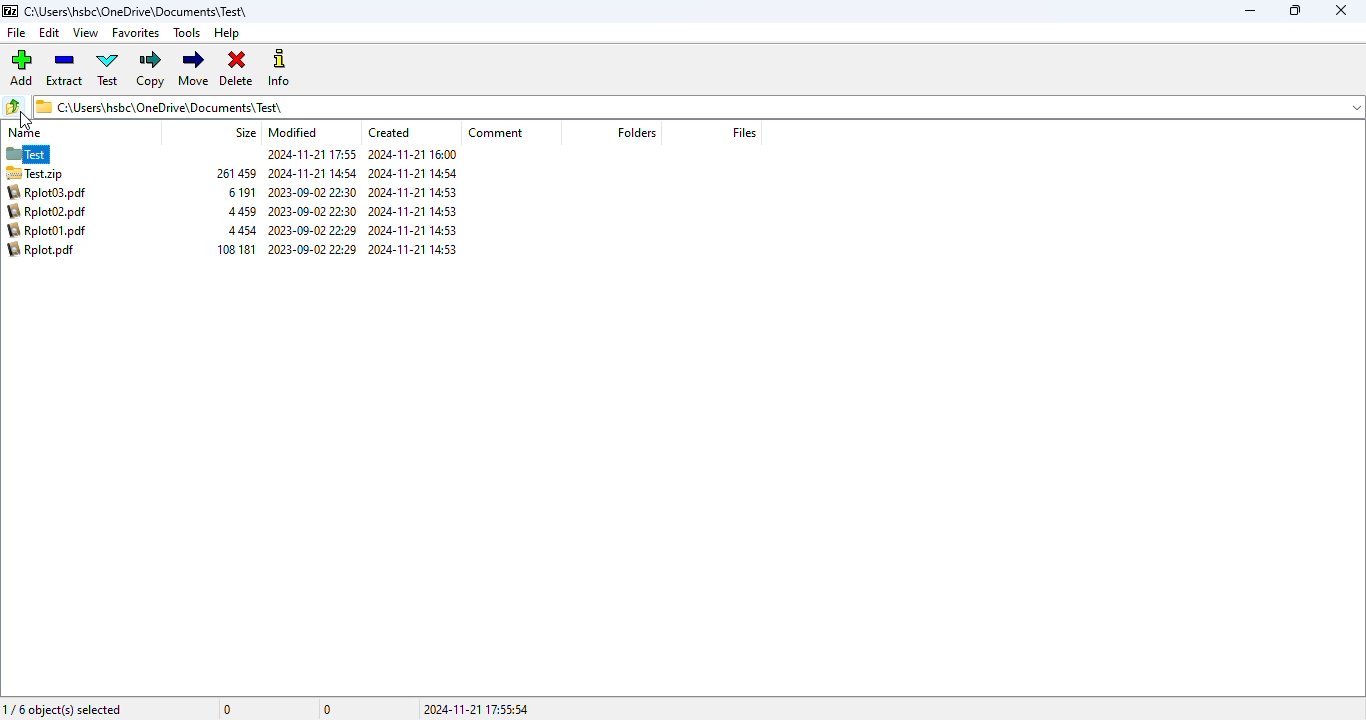 The image size is (1366, 720). Describe the element at coordinates (282, 69) in the screenshot. I see `info` at that location.